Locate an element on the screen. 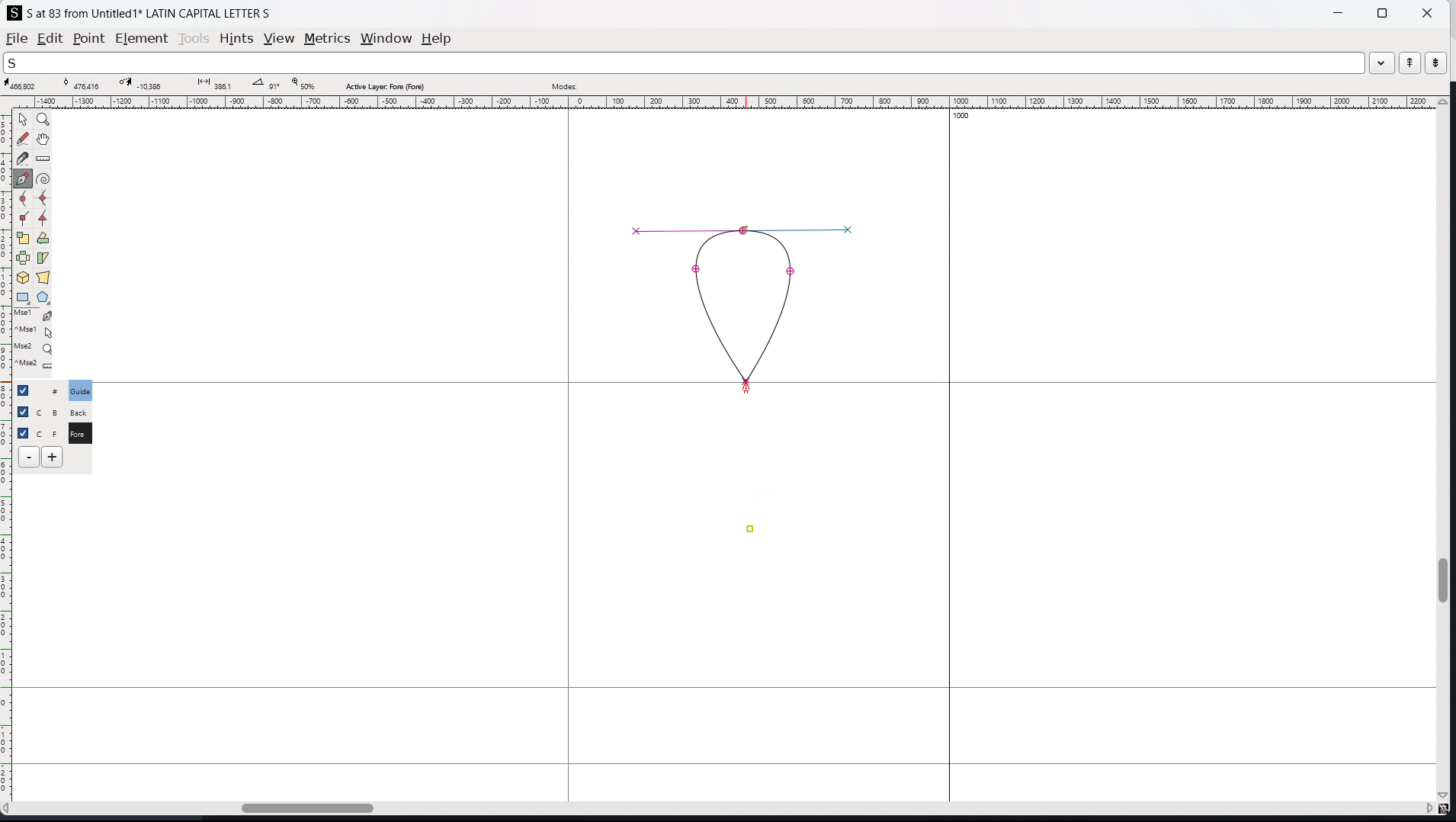  # Guide is located at coordinates (82, 390).